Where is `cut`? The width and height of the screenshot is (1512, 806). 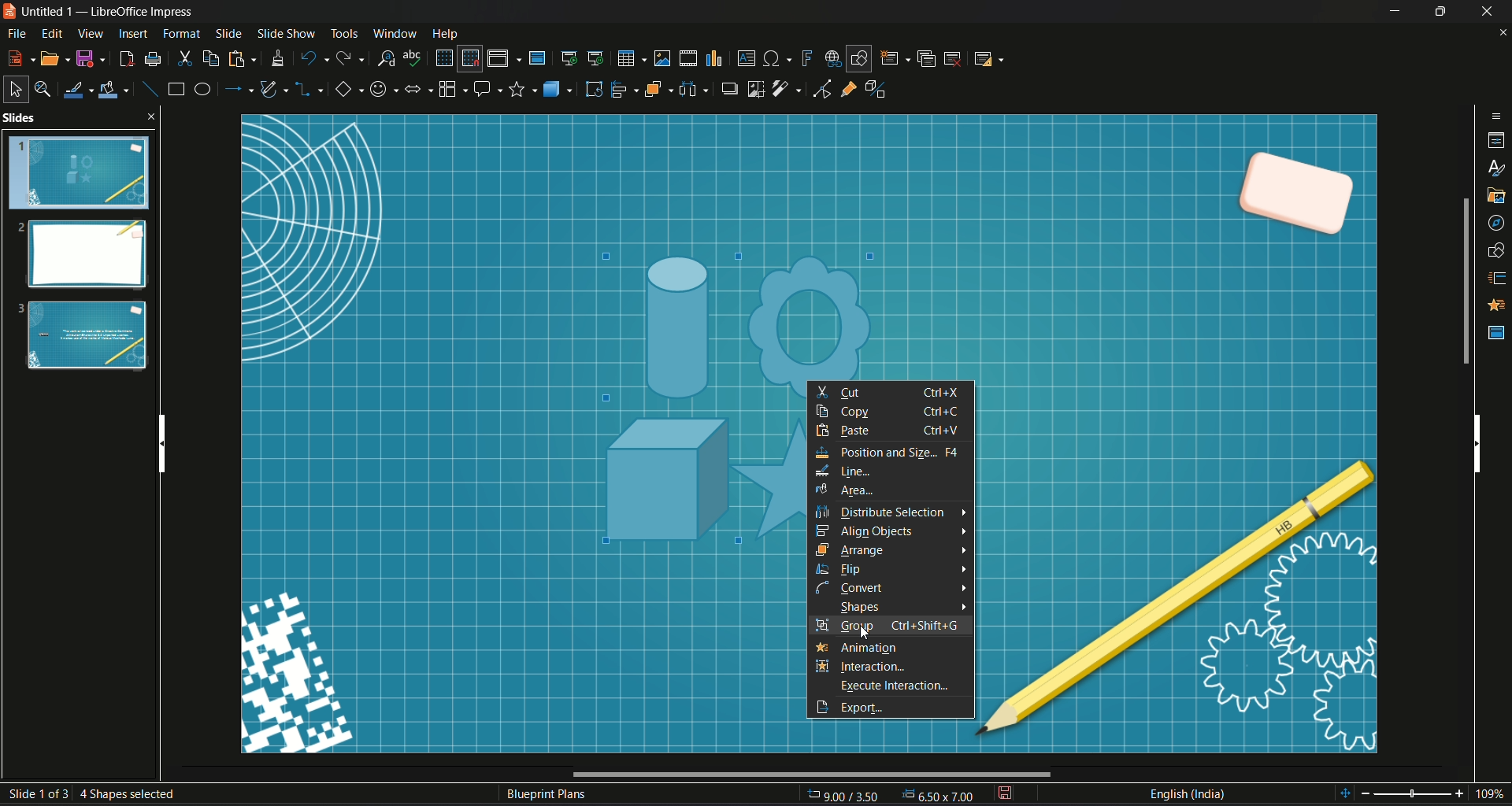
cut is located at coordinates (890, 391).